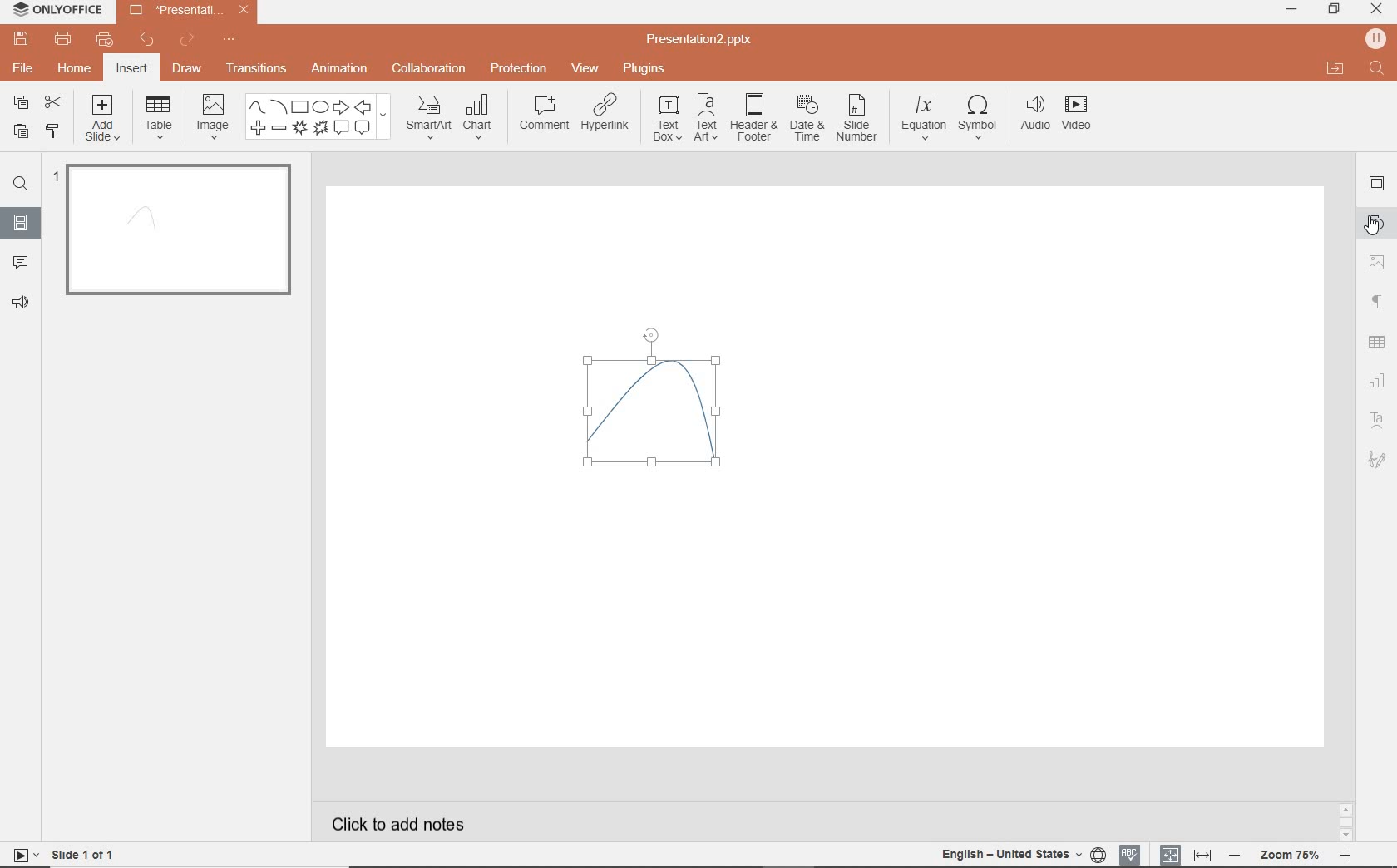 This screenshot has height=868, width=1397. What do you see at coordinates (20, 303) in the screenshot?
I see `FEEDBACK & SUPPORT` at bounding box center [20, 303].